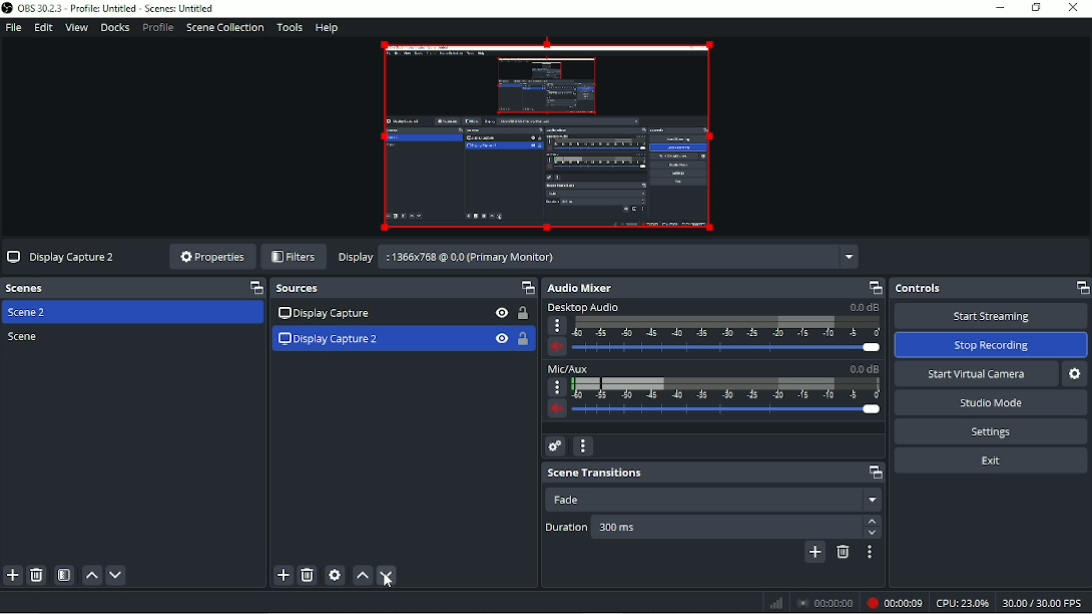 The image size is (1092, 614). What do you see at coordinates (501, 312) in the screenshot?
I see `Hide` at bounding box center [501, 312].